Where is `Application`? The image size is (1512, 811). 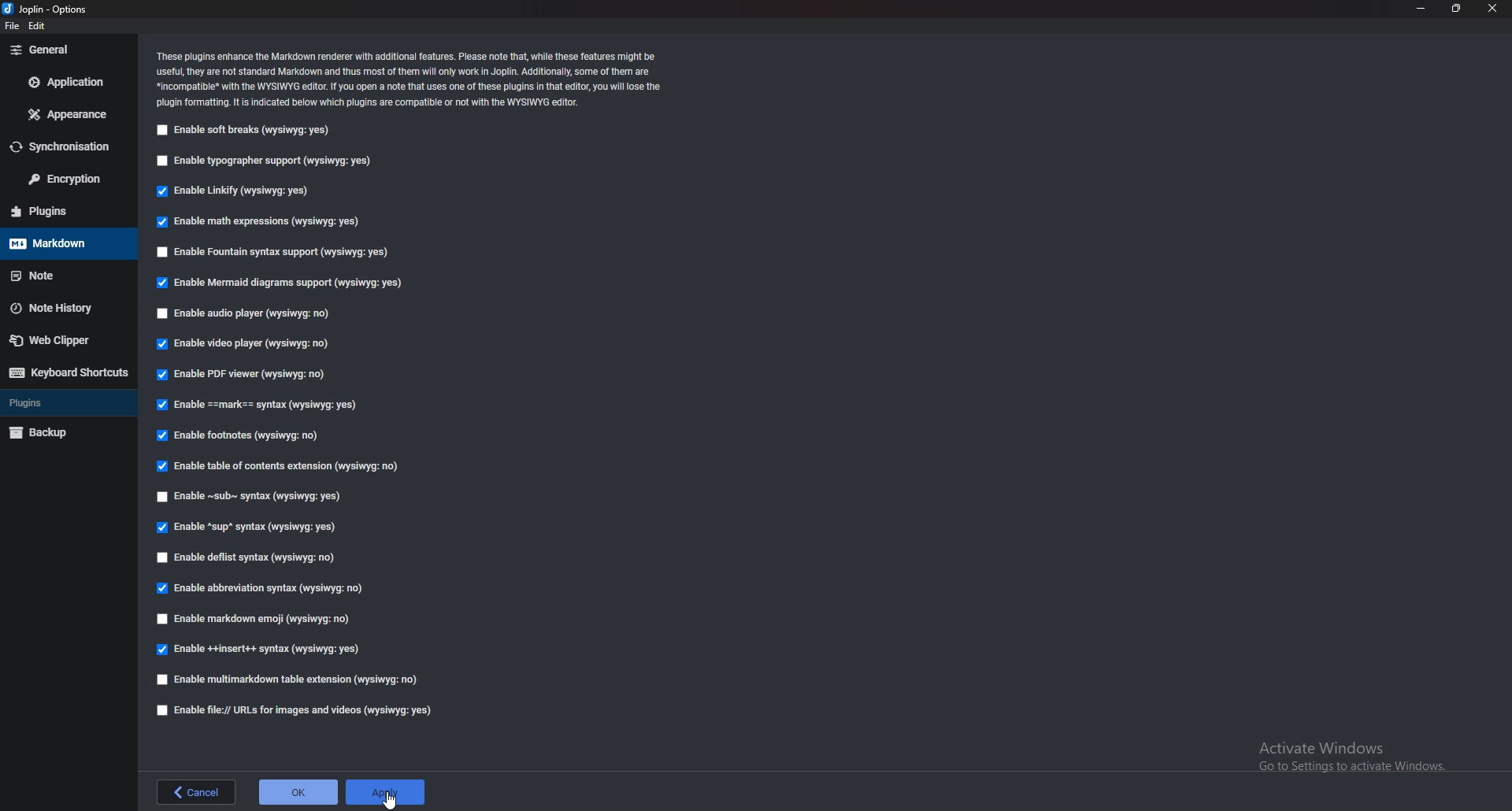
Application is located at coordinates (69, 83).